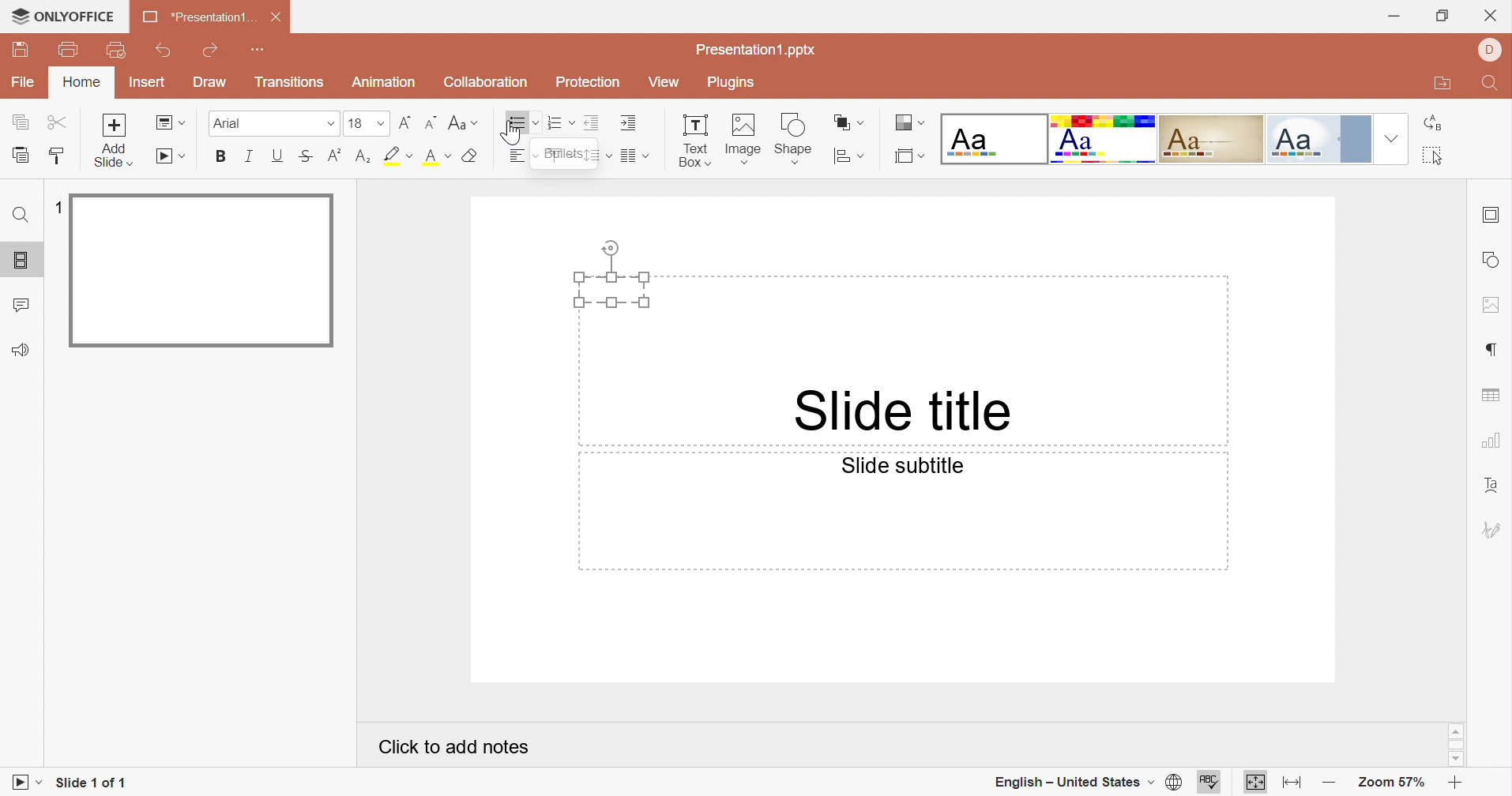 This screenshot has height=796, width=1512. I want to click on Scroll Bar, so click(1460, 746).